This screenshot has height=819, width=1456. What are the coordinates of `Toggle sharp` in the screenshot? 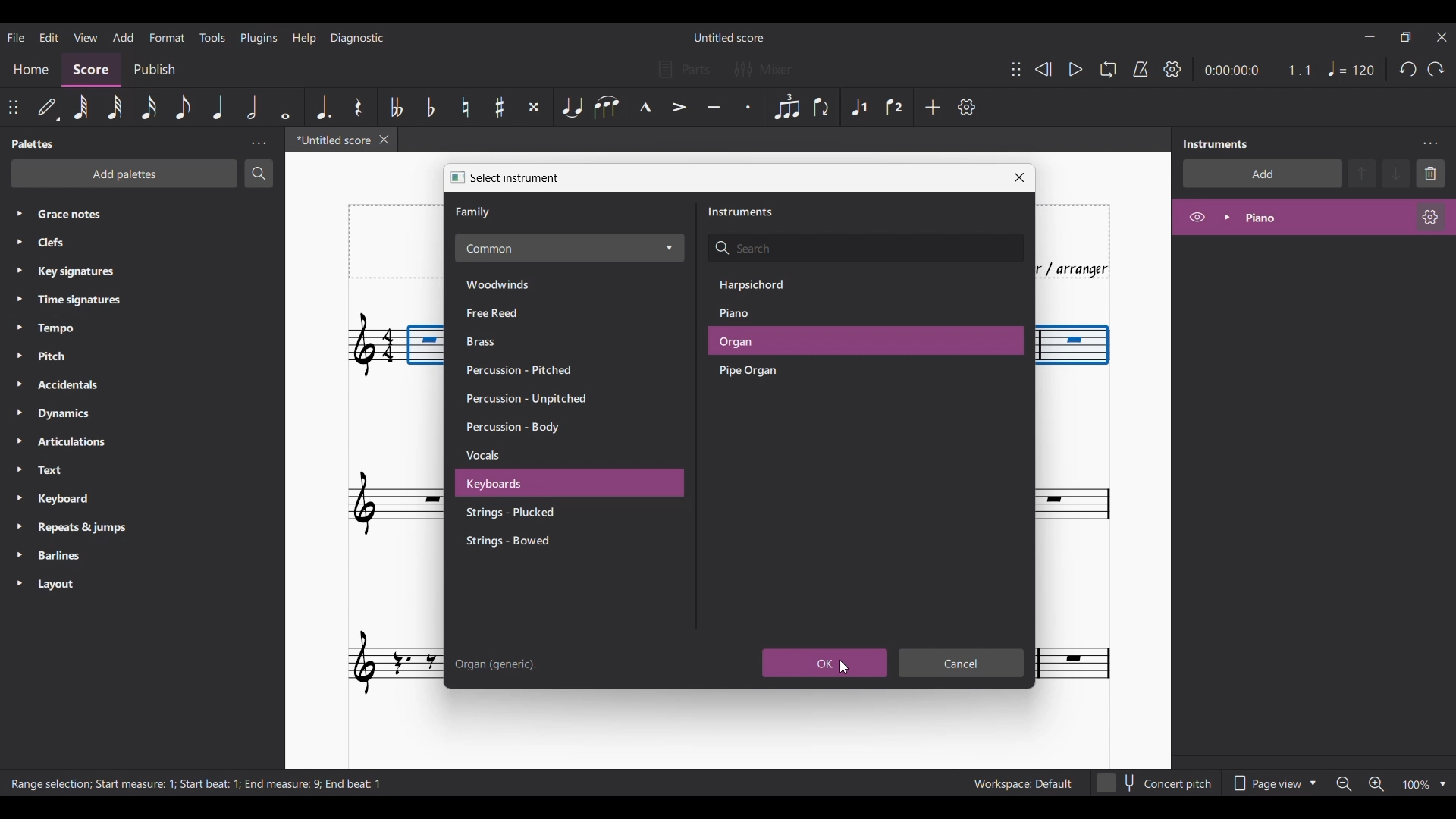 It's located at (500, 106).